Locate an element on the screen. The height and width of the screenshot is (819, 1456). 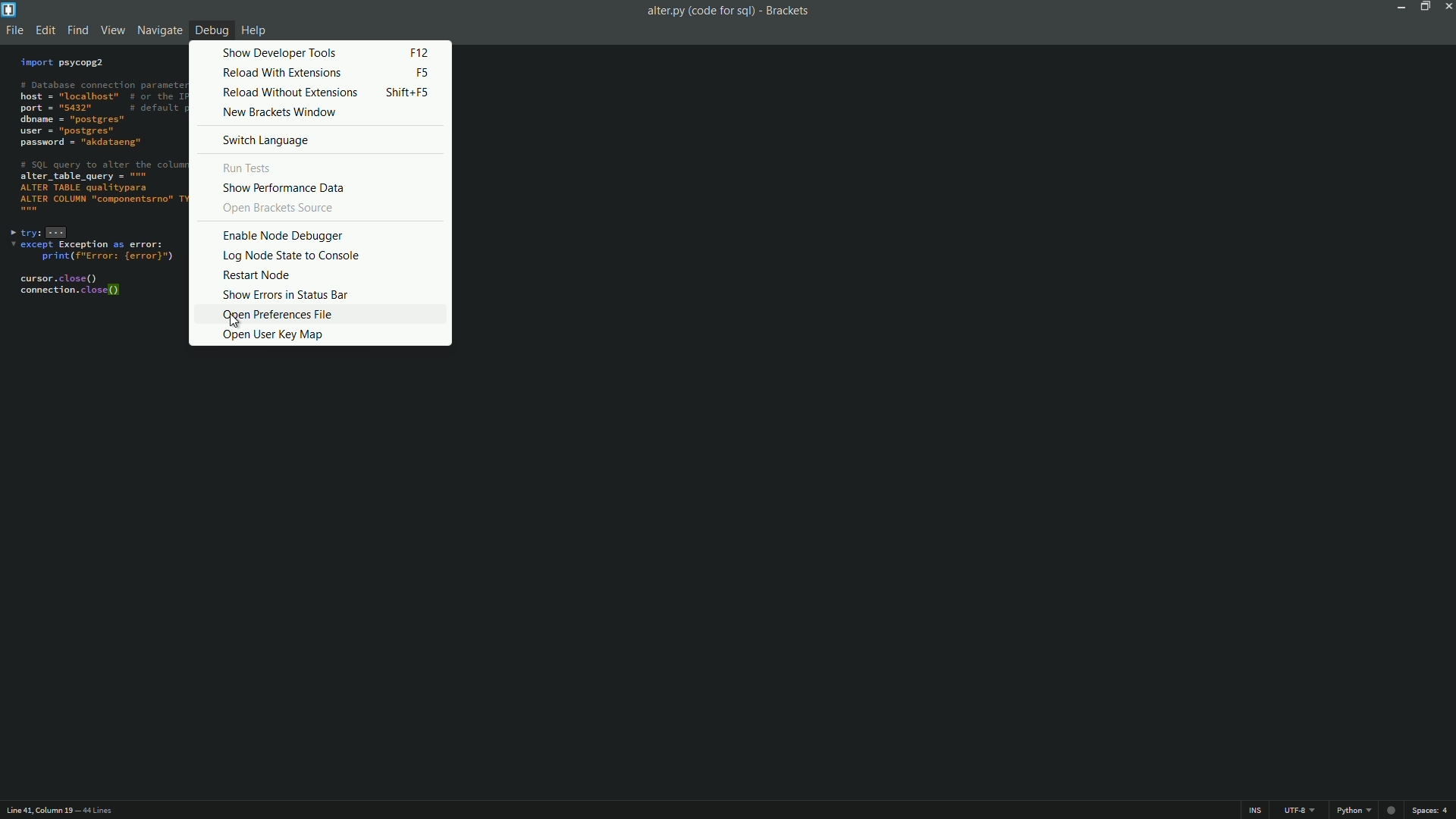
Reload without extensions is located at coordinates (313, 93).